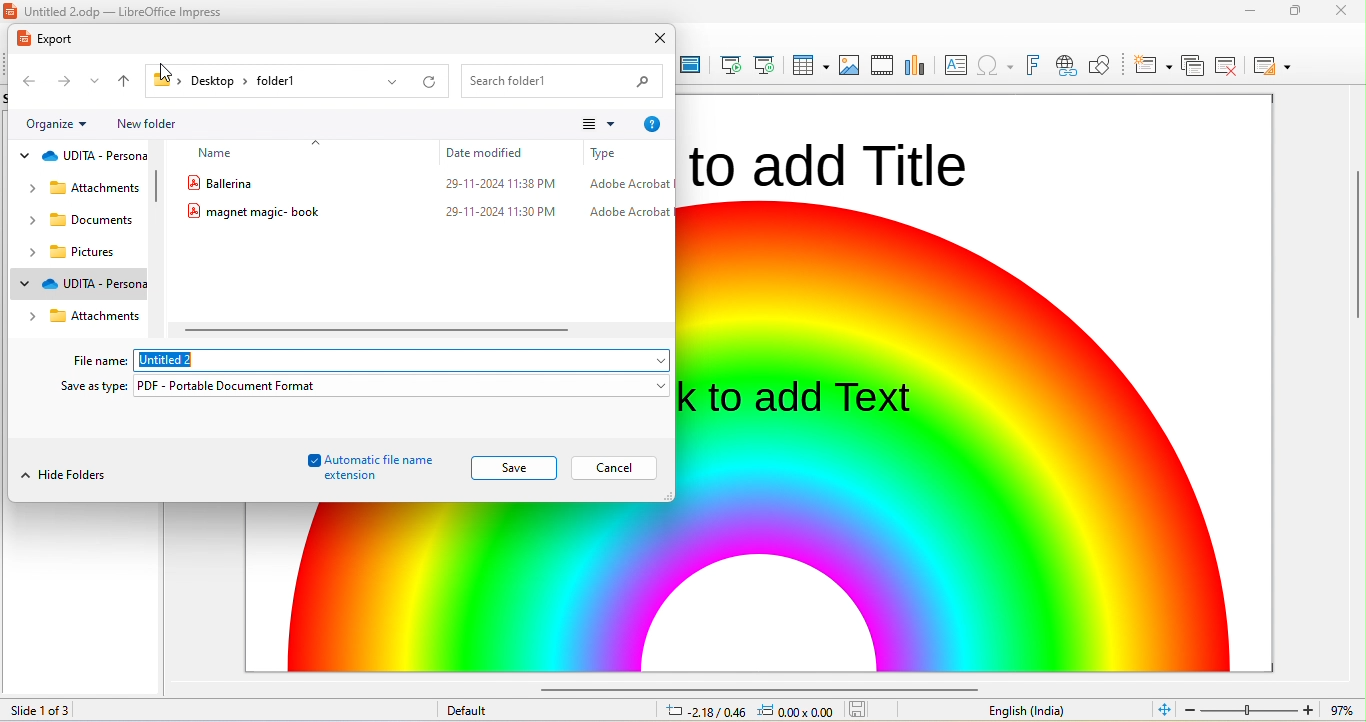 The width and height of the screenshot is (1366, 722). Describe the element at coordinates (26, 155) in the screenshot. I see `drop down` at that location.